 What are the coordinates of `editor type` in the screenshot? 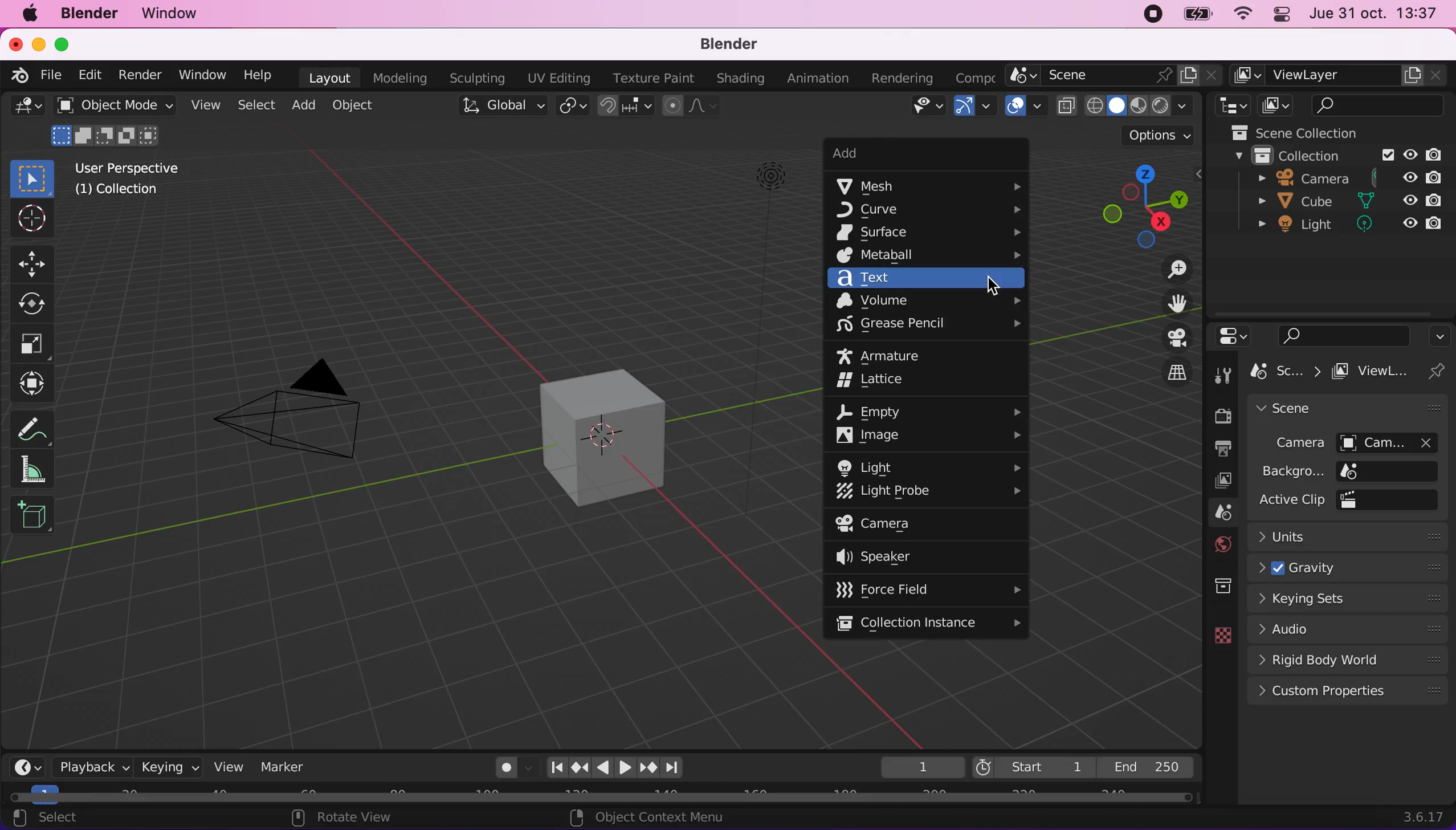 It's located at (1234, 106).